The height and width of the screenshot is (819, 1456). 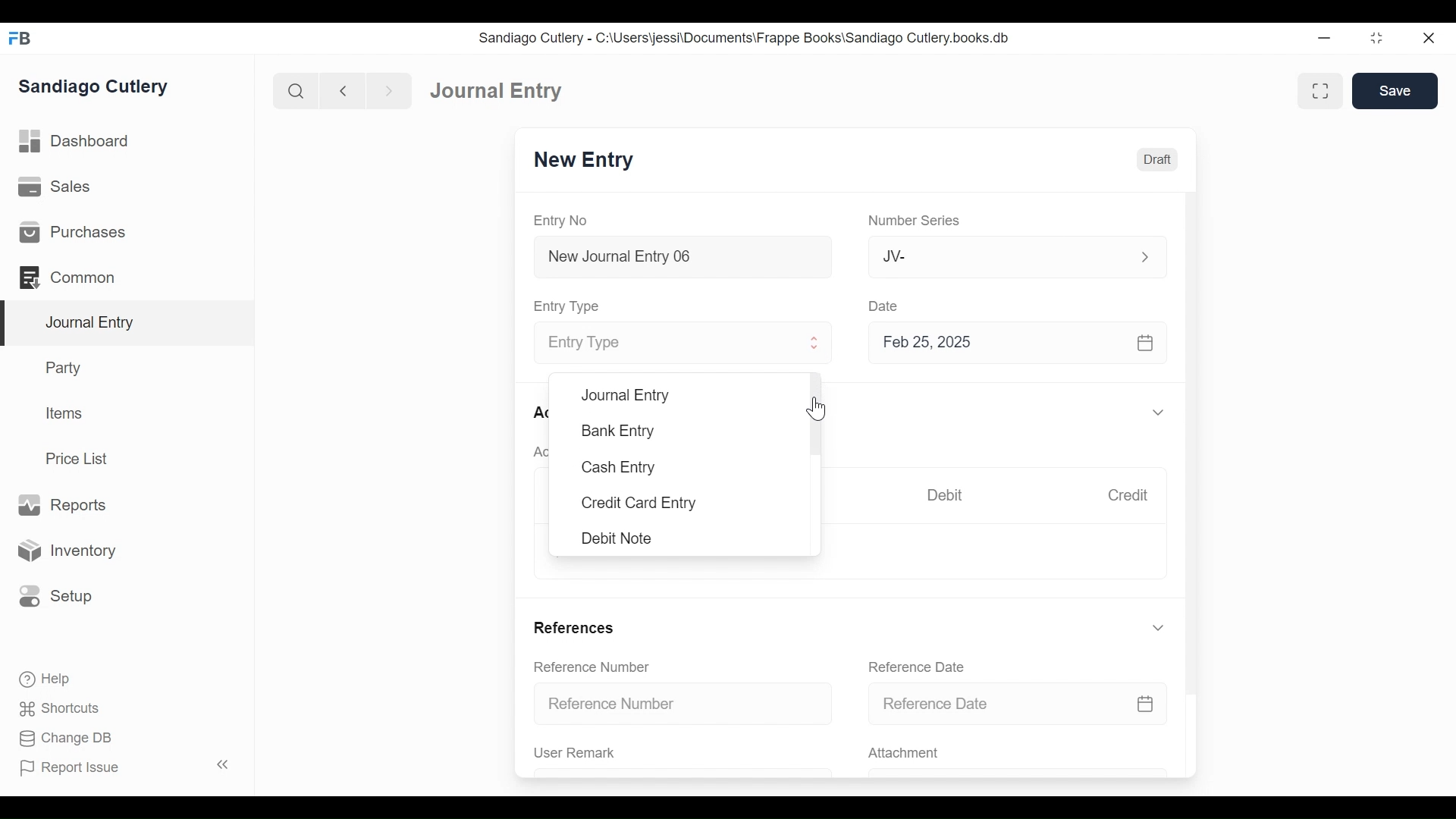 I want to click on Search, so click(x=297, y=91).